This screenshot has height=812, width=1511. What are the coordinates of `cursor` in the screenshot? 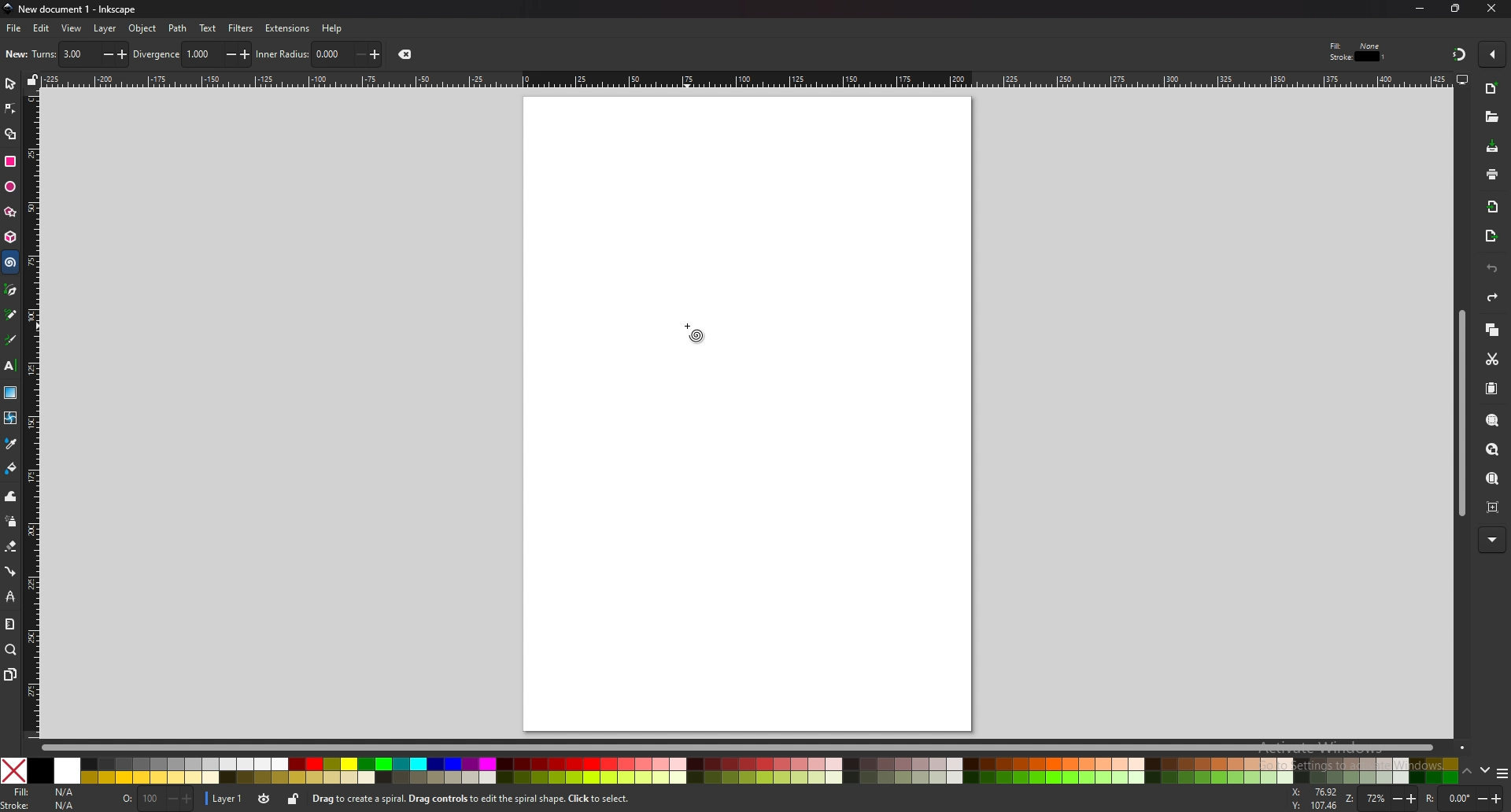 It's located at (14, 275).